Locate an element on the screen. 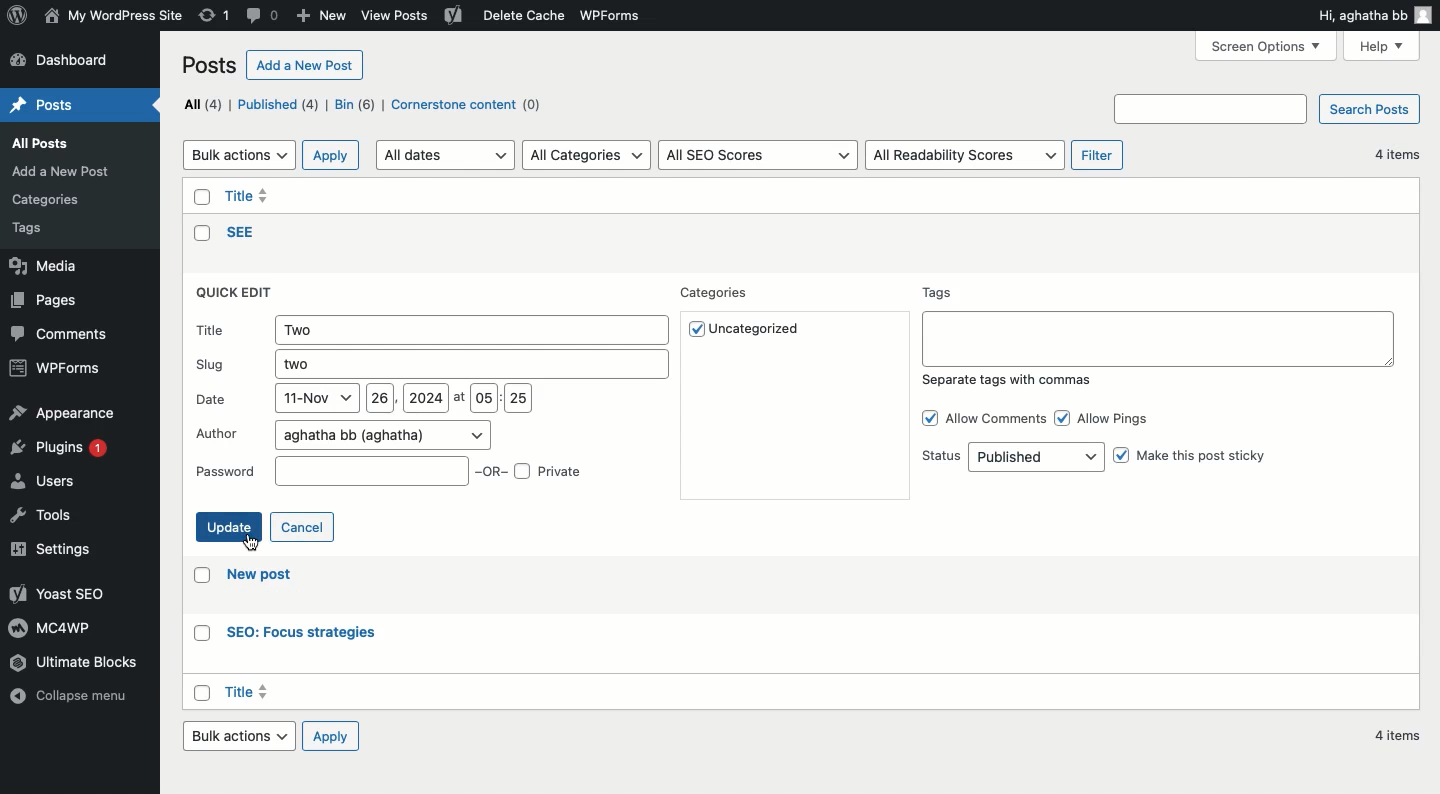  Bulk actions is located at coordinates (243, 739).